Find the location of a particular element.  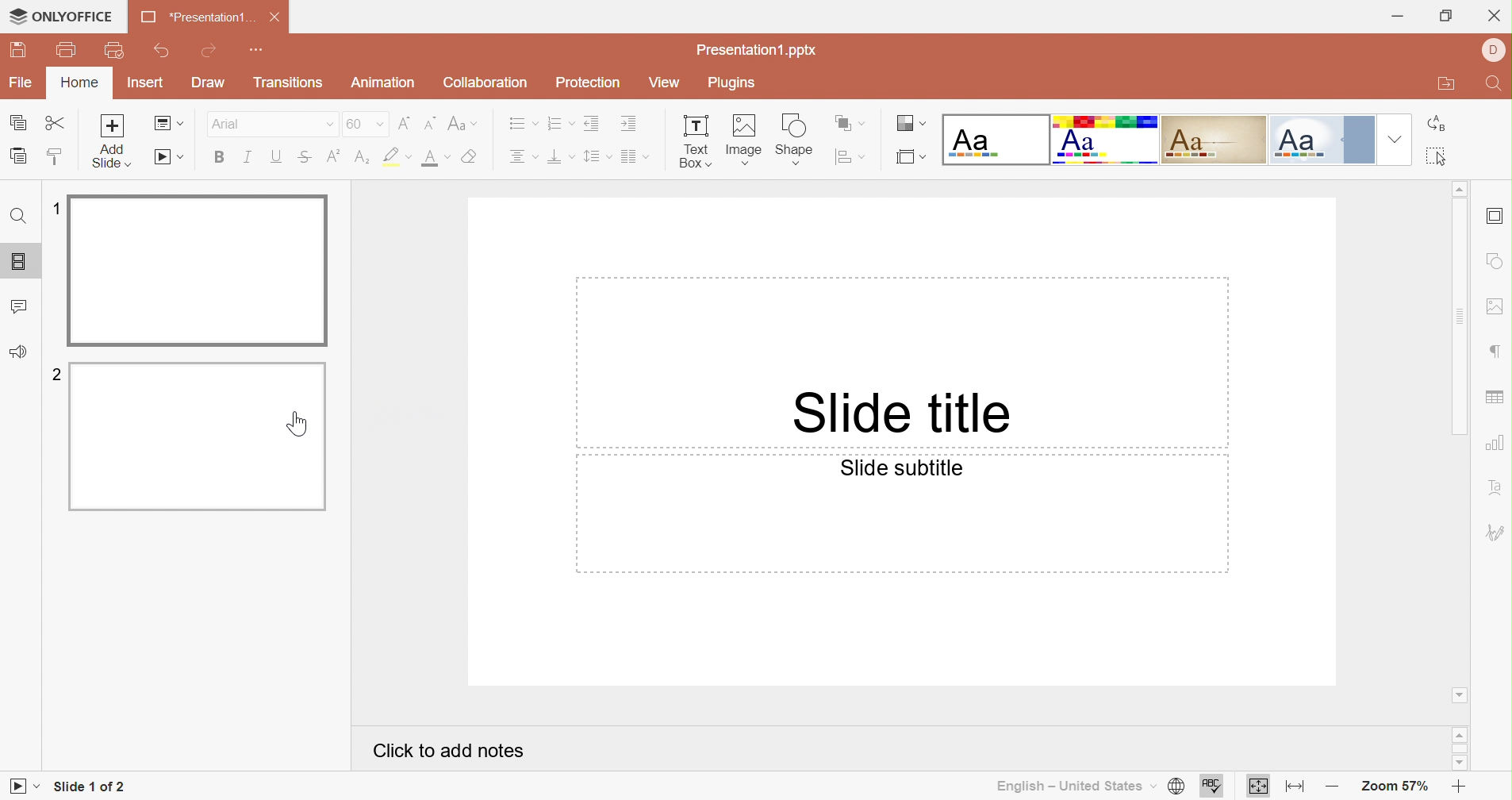

ONLYOFFICE is located at coordinates (62, 17).